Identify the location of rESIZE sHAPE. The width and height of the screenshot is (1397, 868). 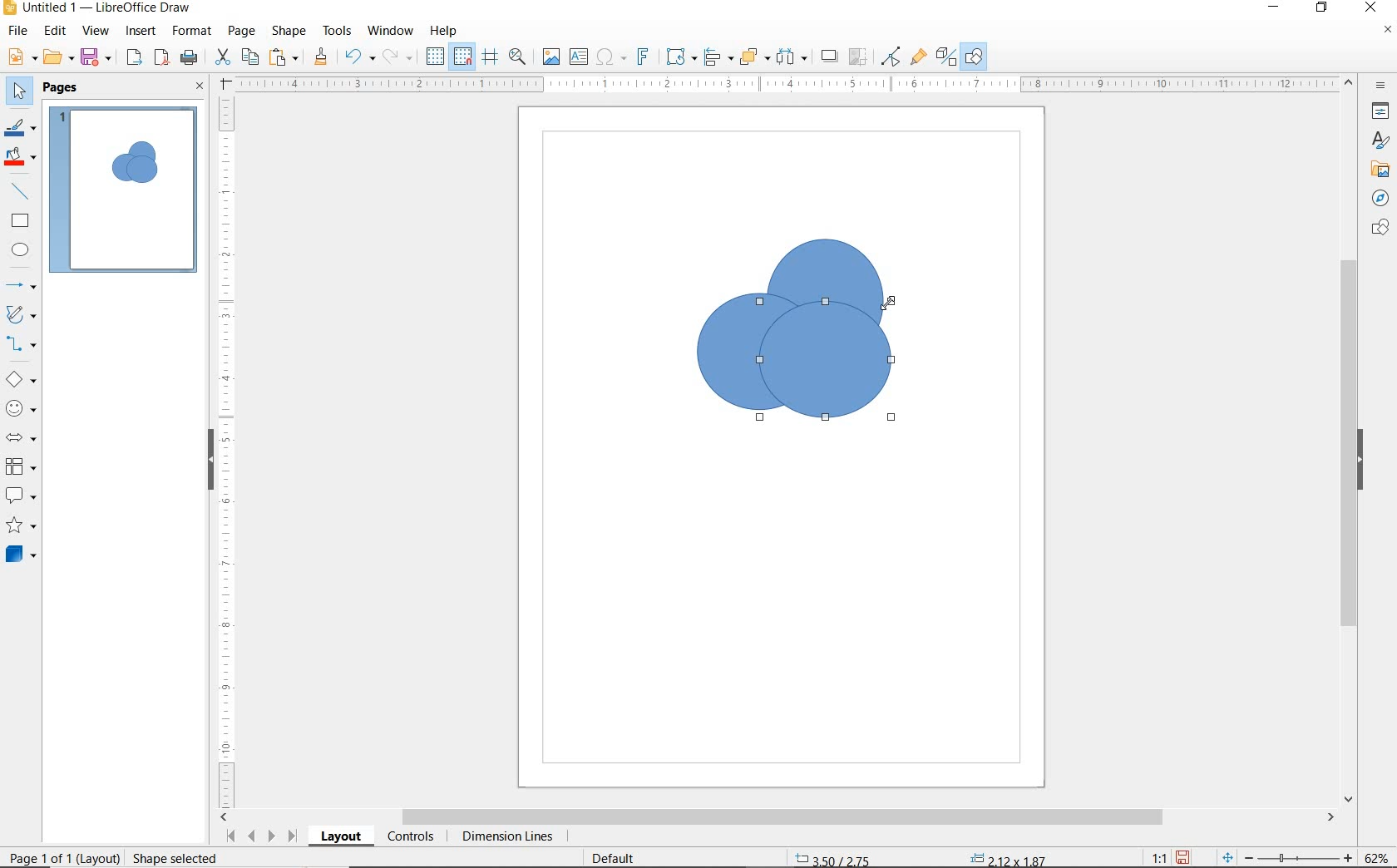
(168, 857).